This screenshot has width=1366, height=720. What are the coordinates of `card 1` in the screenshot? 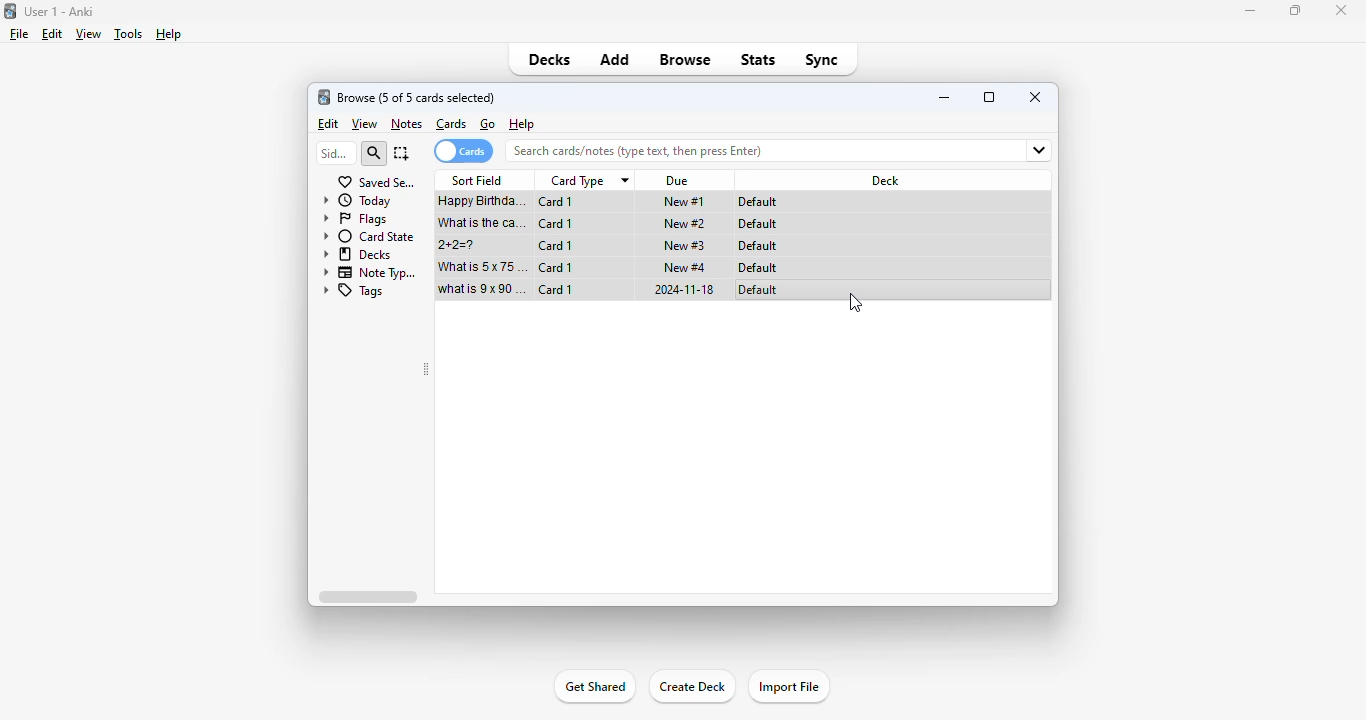 It's located at (557, 202).